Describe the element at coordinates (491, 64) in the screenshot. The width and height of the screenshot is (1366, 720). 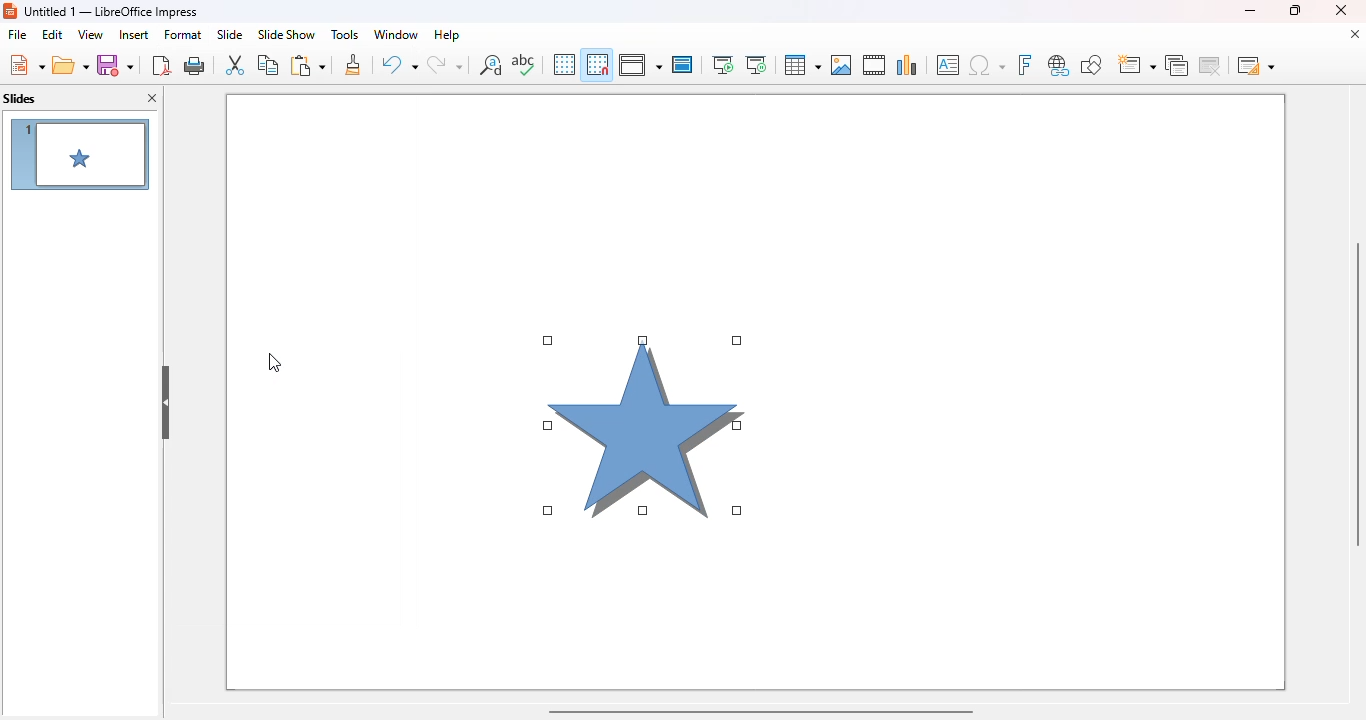
I see `find and replace` at that location.